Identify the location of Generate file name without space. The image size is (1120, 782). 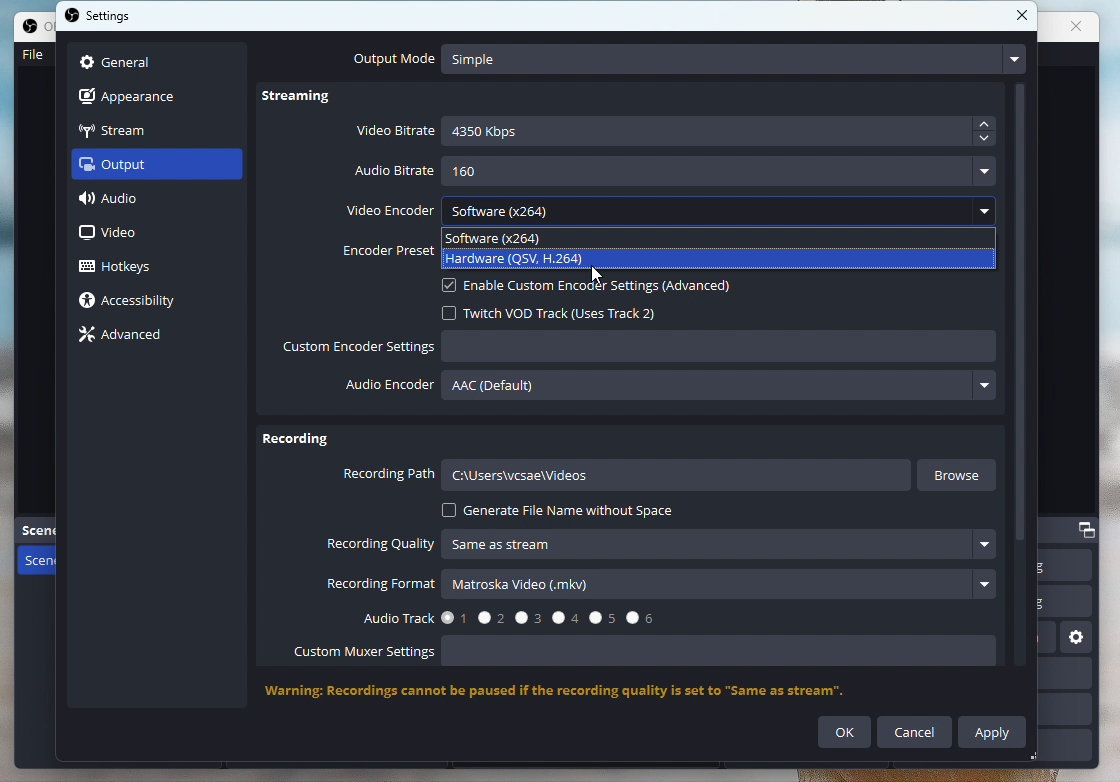
(560, 511).